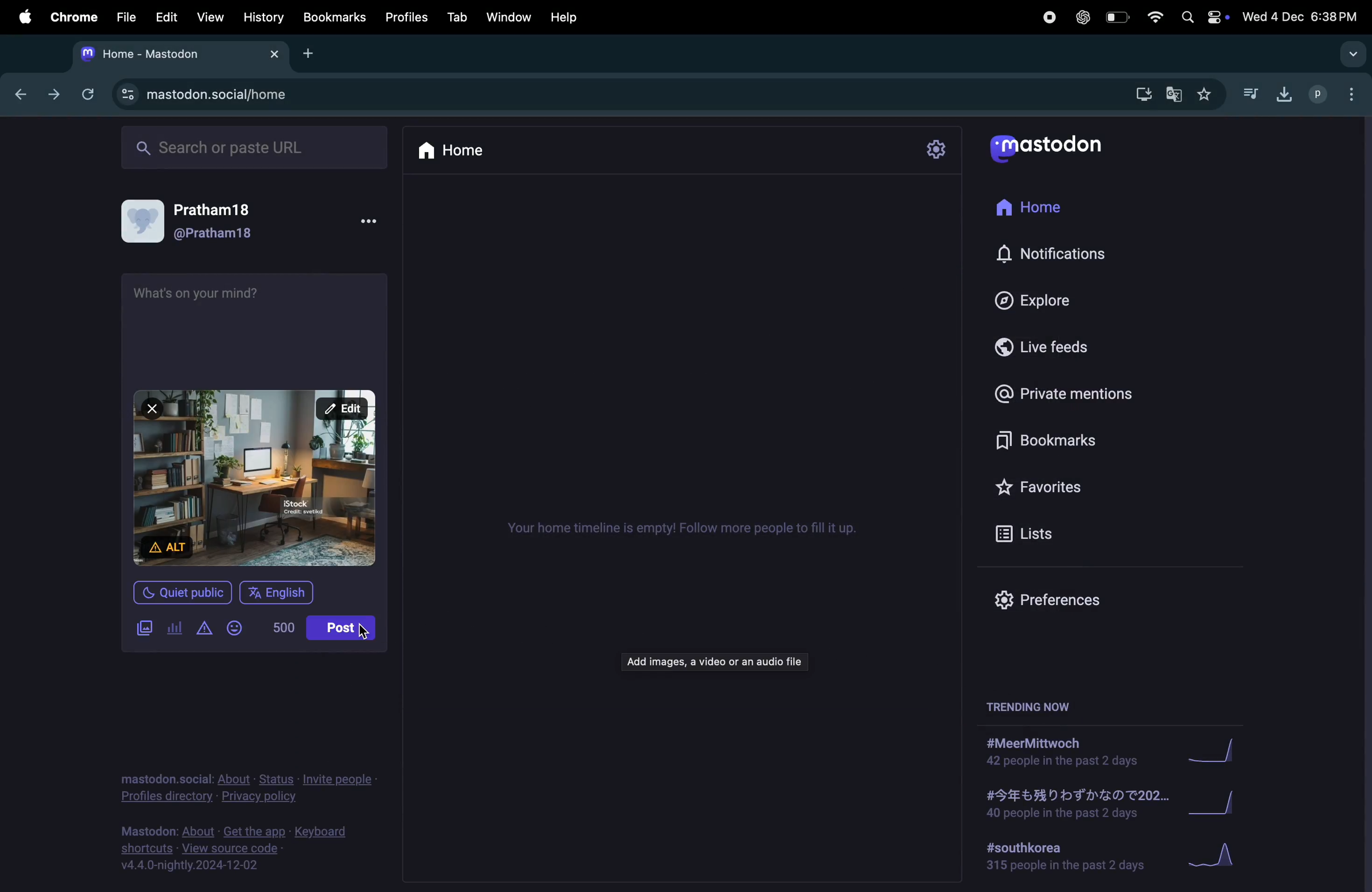 The width and height of the screenshot is (1372, 892). I want to click on file, so click(125, 14).